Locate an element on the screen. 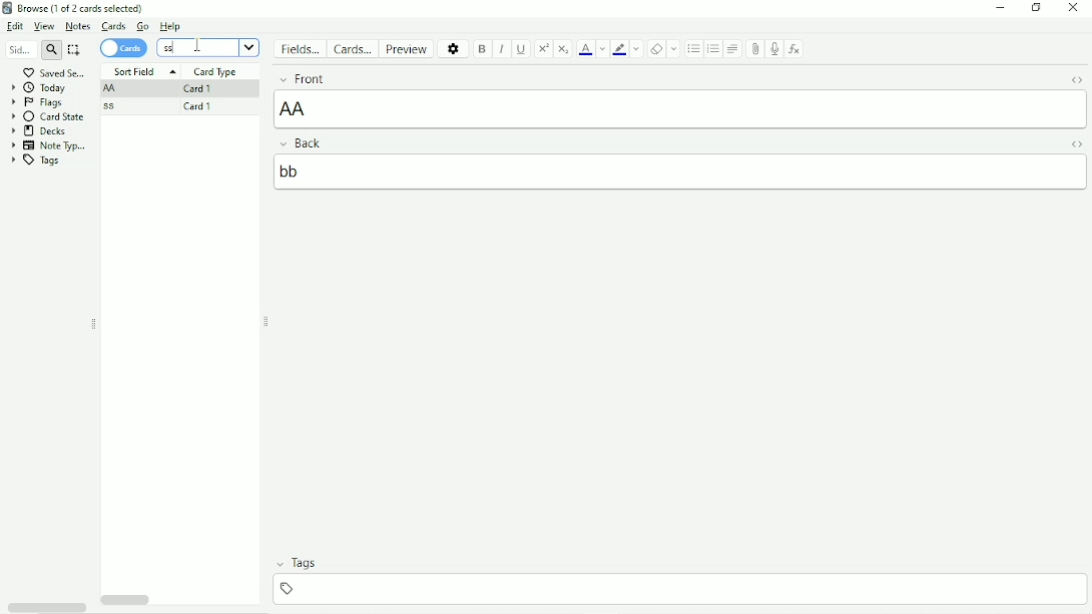  Superscript is located at coordinates (544, 48).